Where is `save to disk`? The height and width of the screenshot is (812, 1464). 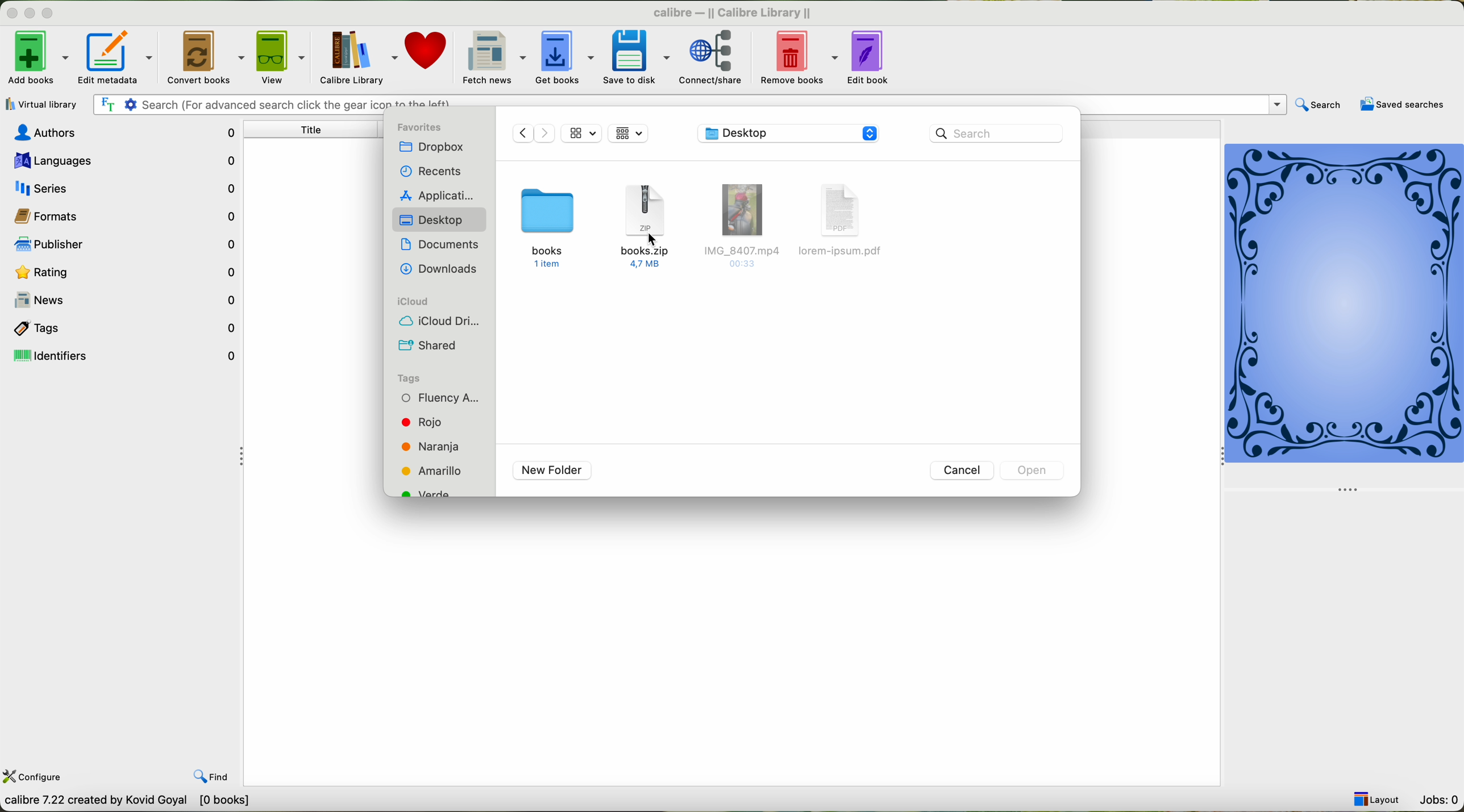
save to disk is located at coordinates (634, 58).